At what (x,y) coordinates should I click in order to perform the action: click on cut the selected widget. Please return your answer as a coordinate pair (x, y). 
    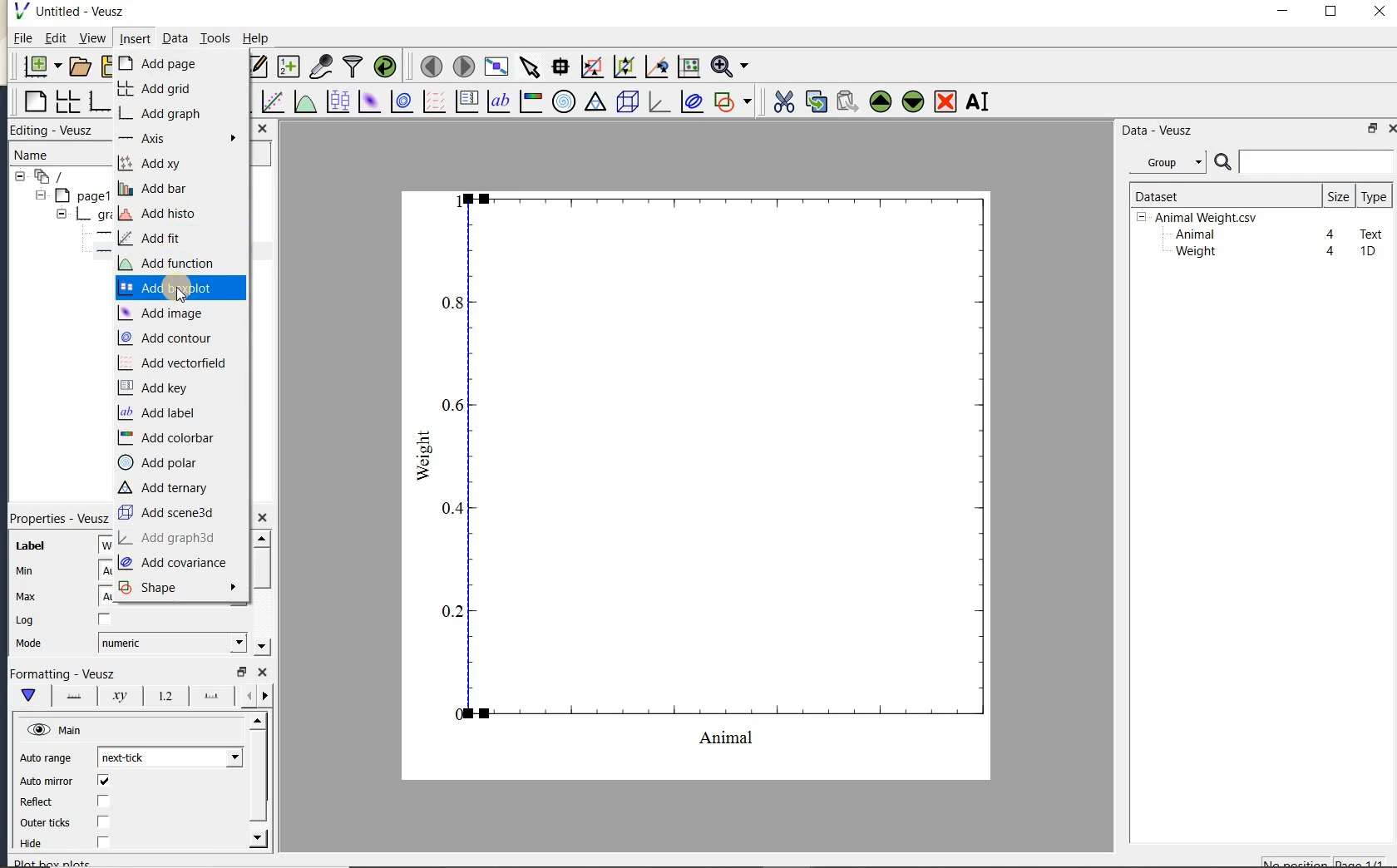
    Looking at the image, I should click on (782, 102).